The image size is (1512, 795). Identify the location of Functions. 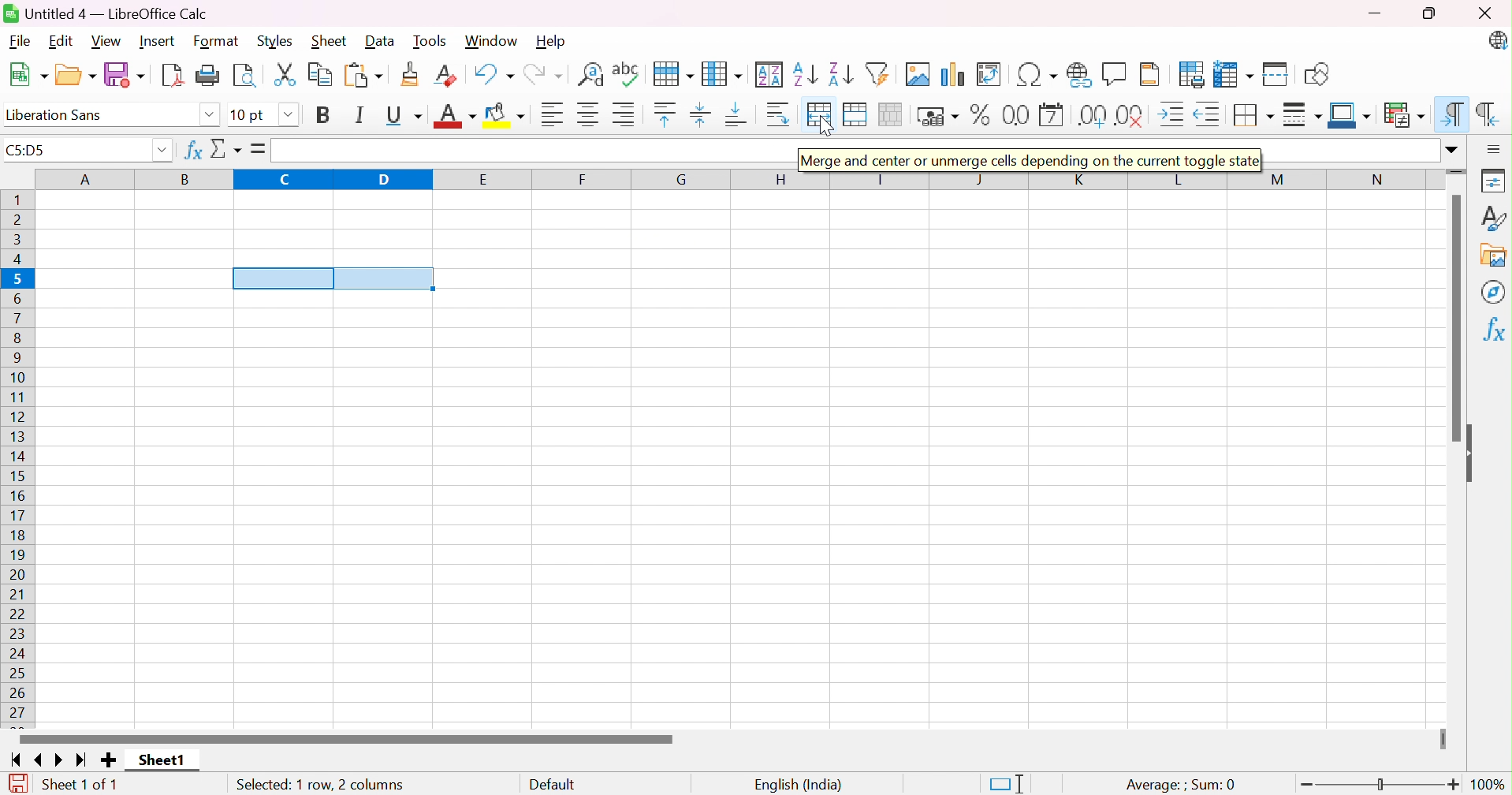
(1492, 330).